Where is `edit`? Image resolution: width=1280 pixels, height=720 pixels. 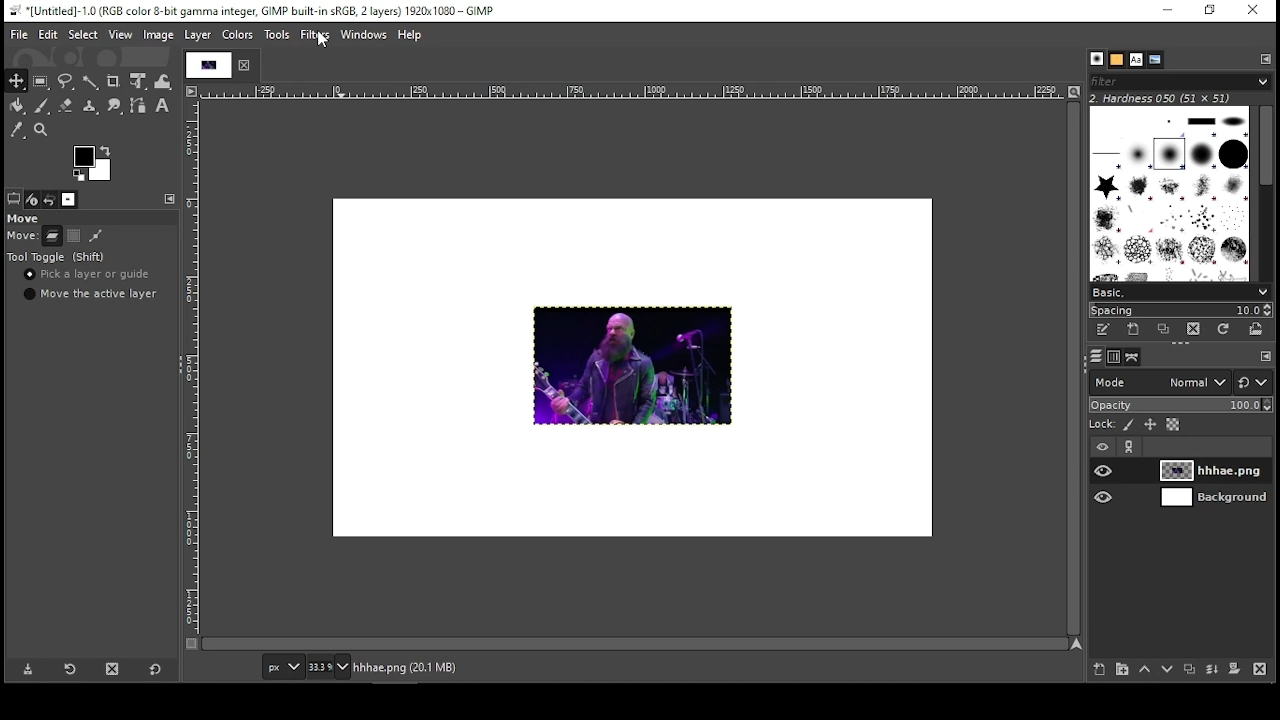 edit is located at coordinates (48, 34).